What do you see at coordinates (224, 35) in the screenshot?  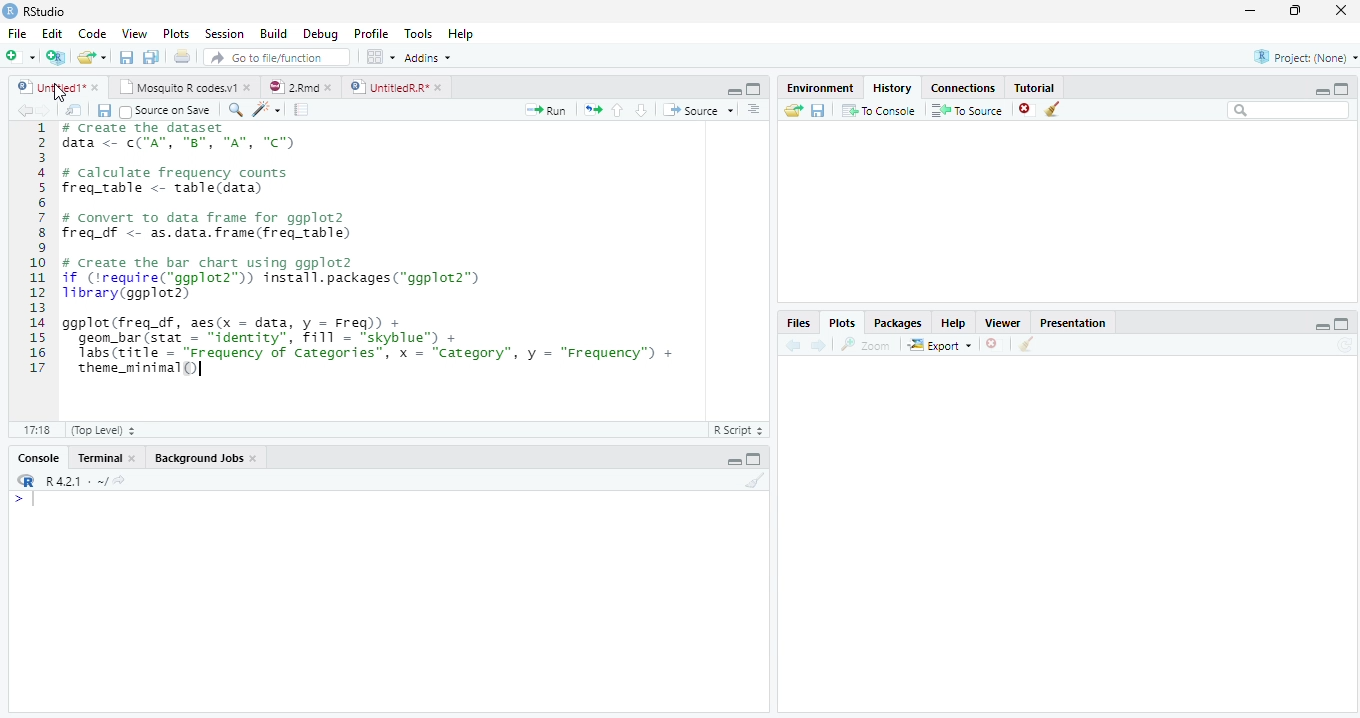 I see `Session` at bounding box center [224, 35].